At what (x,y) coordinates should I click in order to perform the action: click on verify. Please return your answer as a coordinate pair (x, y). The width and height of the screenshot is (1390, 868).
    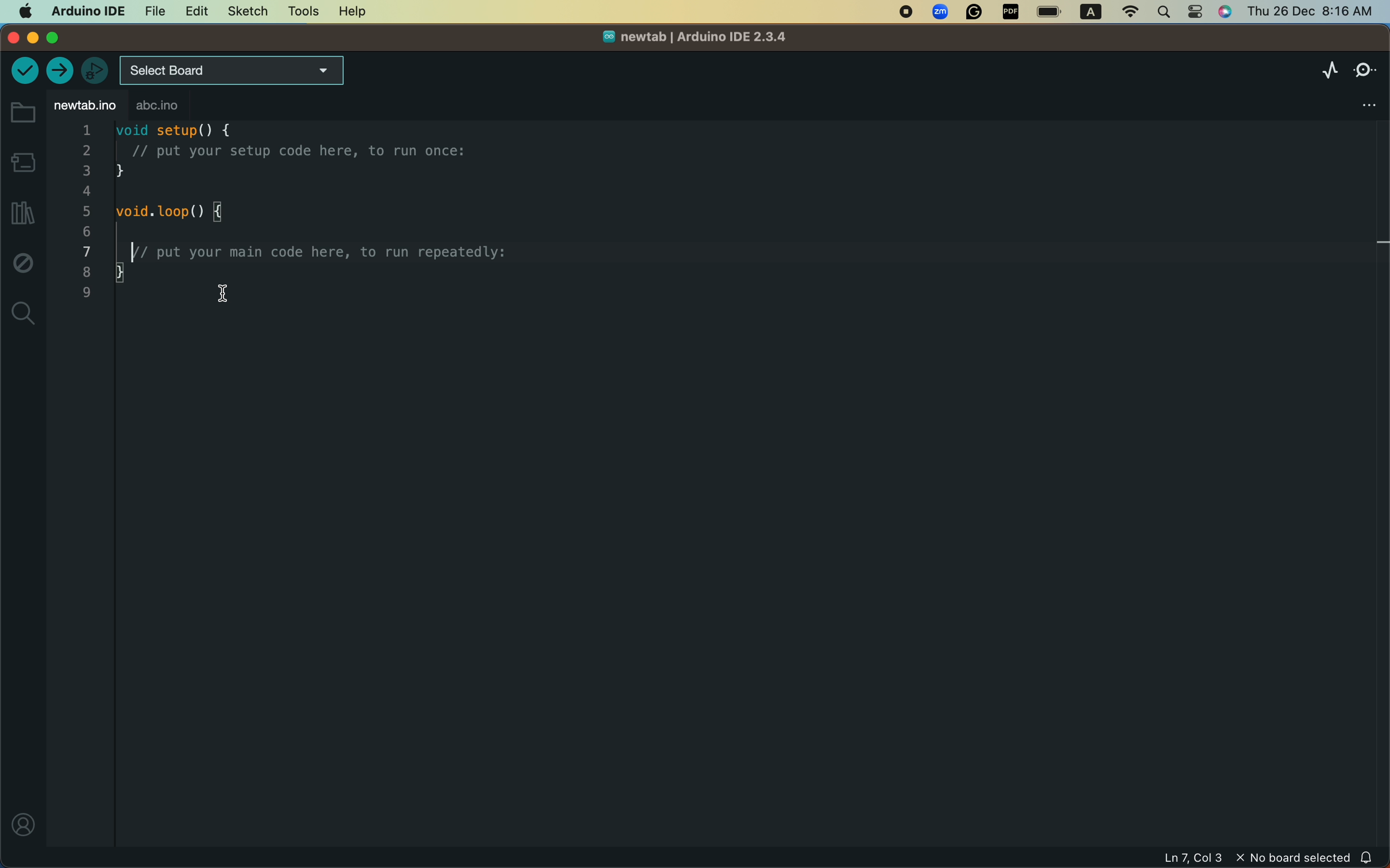
    Looking at the image, I should click on (24, 72).